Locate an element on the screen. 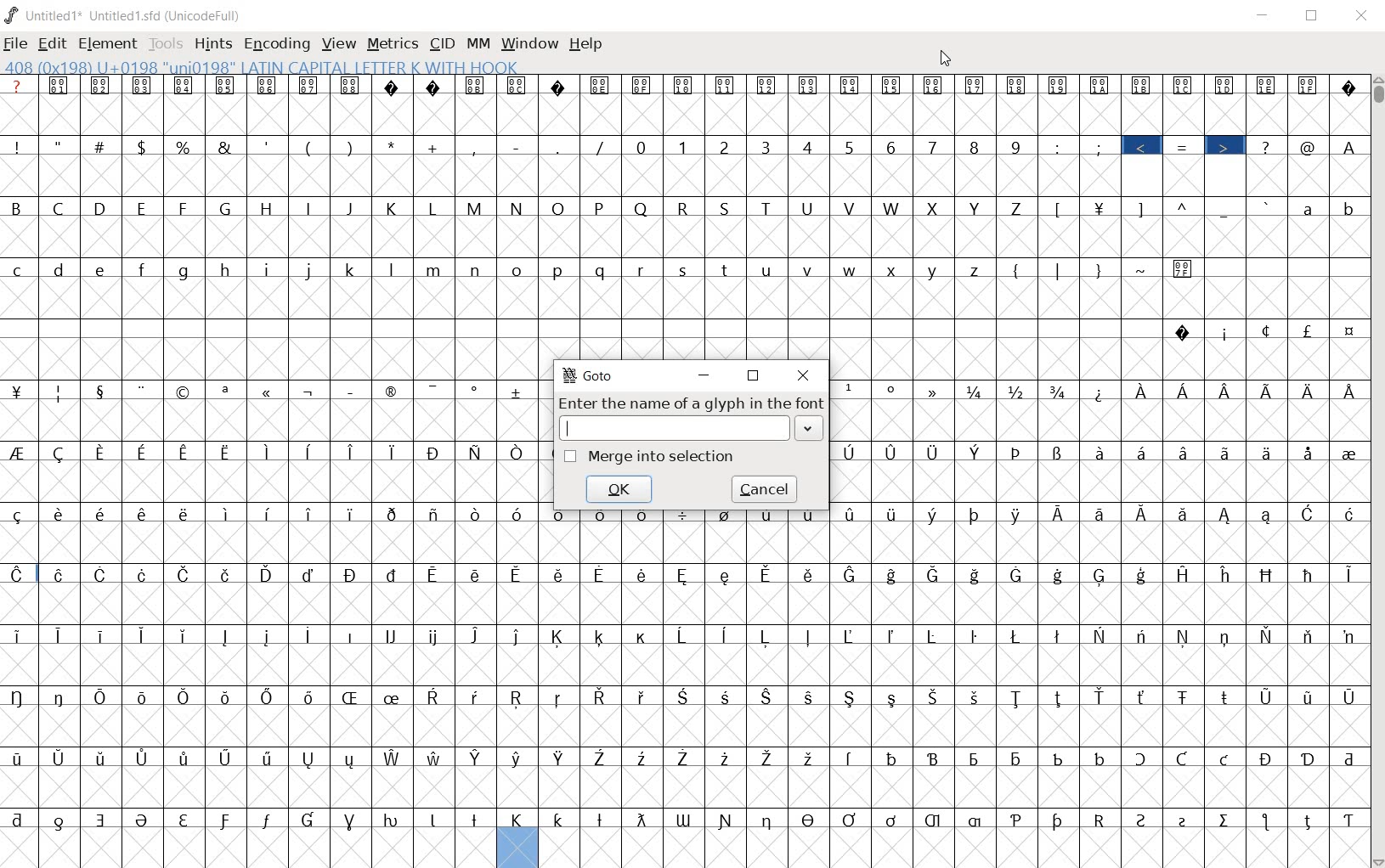  empty glyph slots is located at coordinates (682, 176).